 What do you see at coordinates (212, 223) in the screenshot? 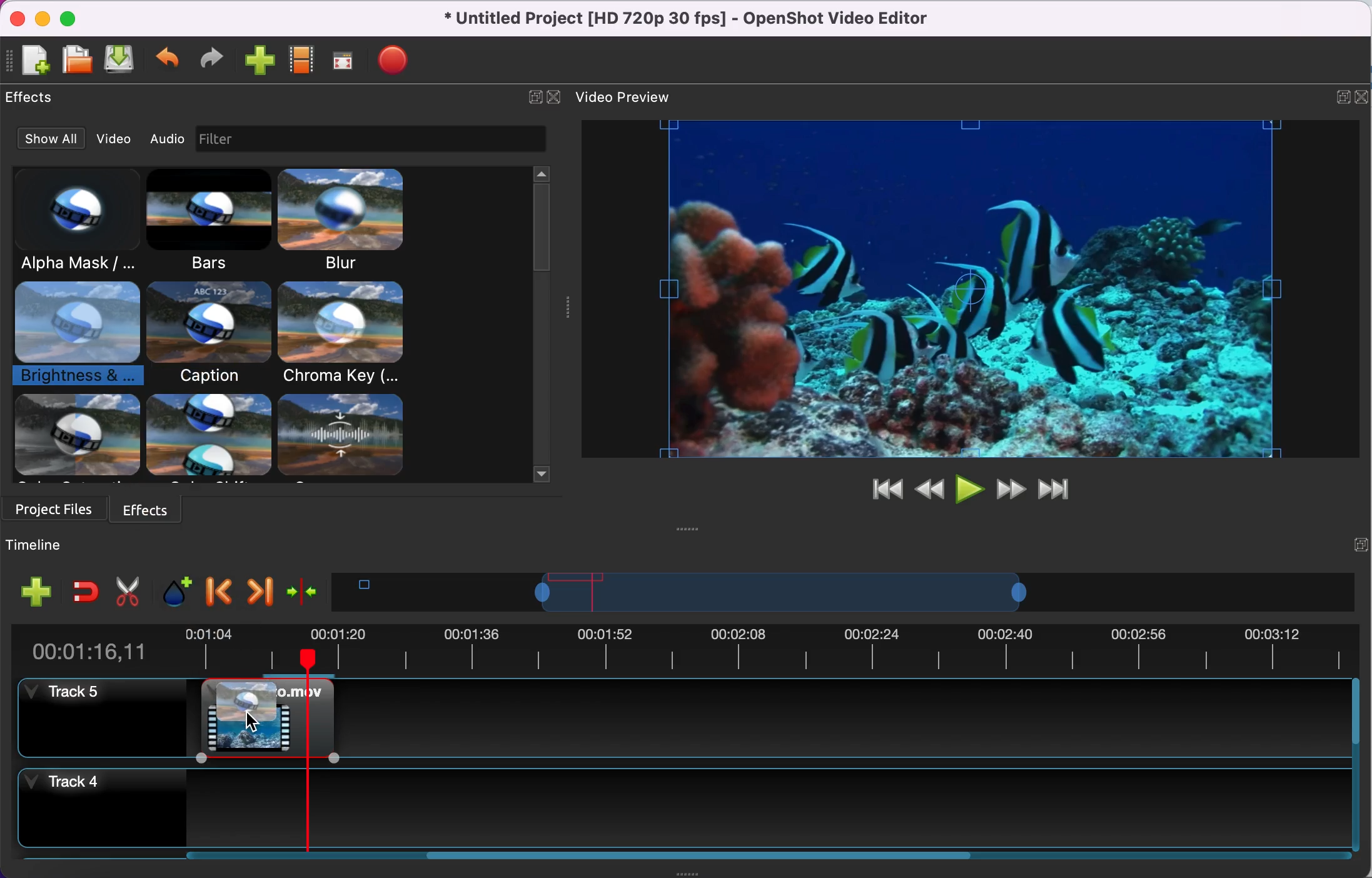
I see `bars` at bounding box center [212, 223].